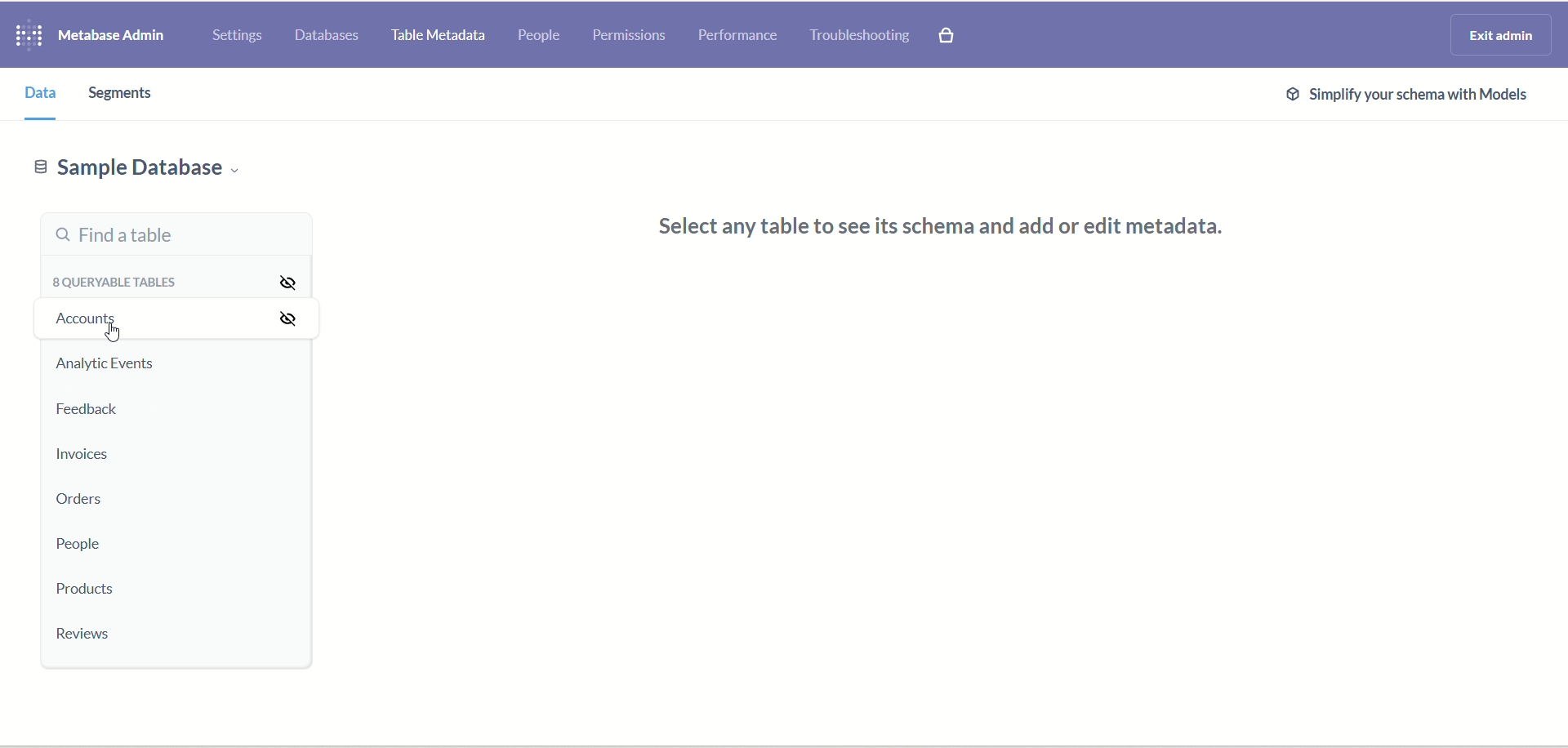 The height and width of the screenshot is (748, 1568). What do you see at coordinates (158, 172) in the screenshot?
I see `sample database` at bounding box center [158, 172].